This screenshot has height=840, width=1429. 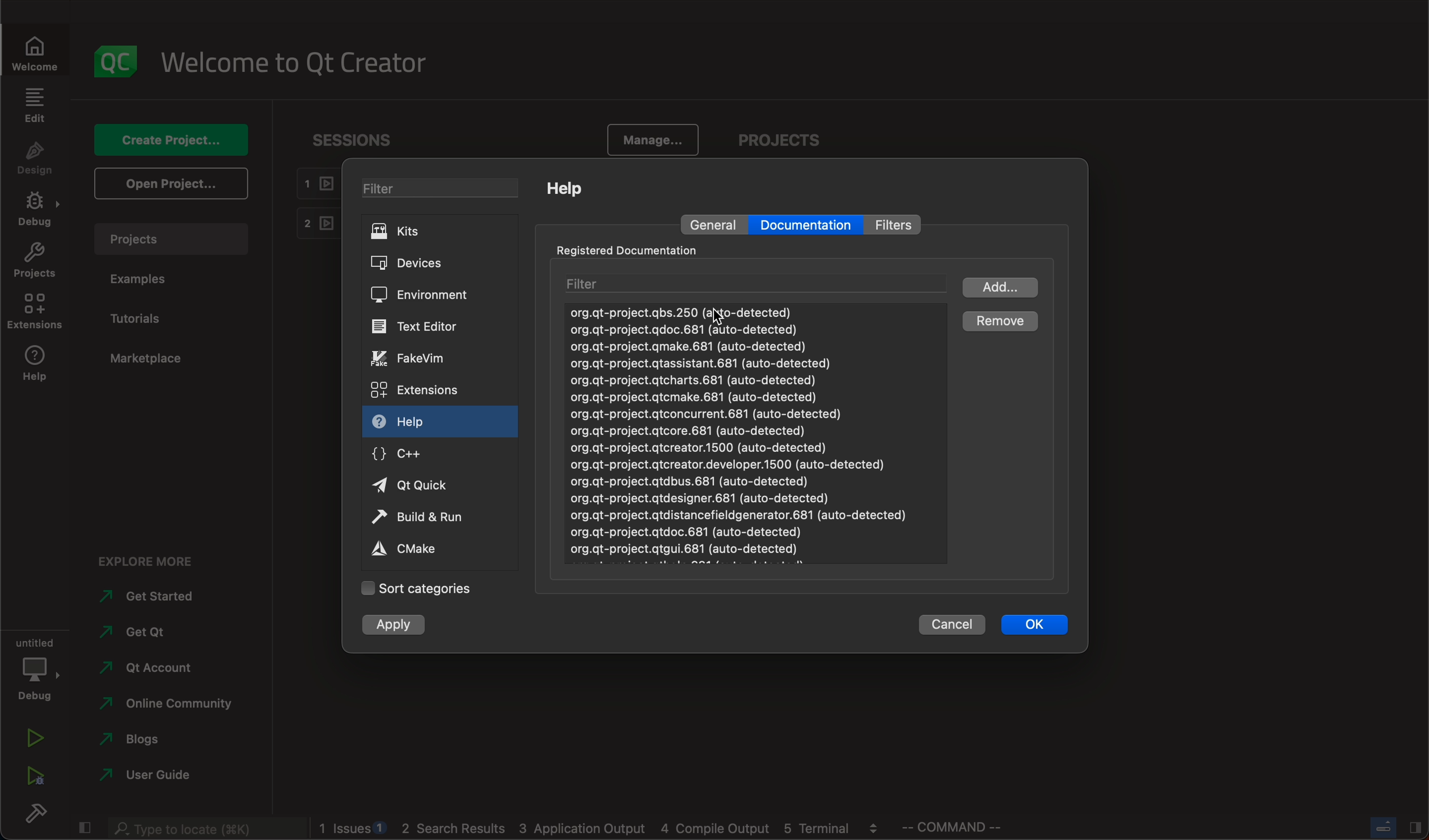 What do you see at coordinates (633, 249) in the screenshot?
I see `registered` at bounding box center [633, 249].